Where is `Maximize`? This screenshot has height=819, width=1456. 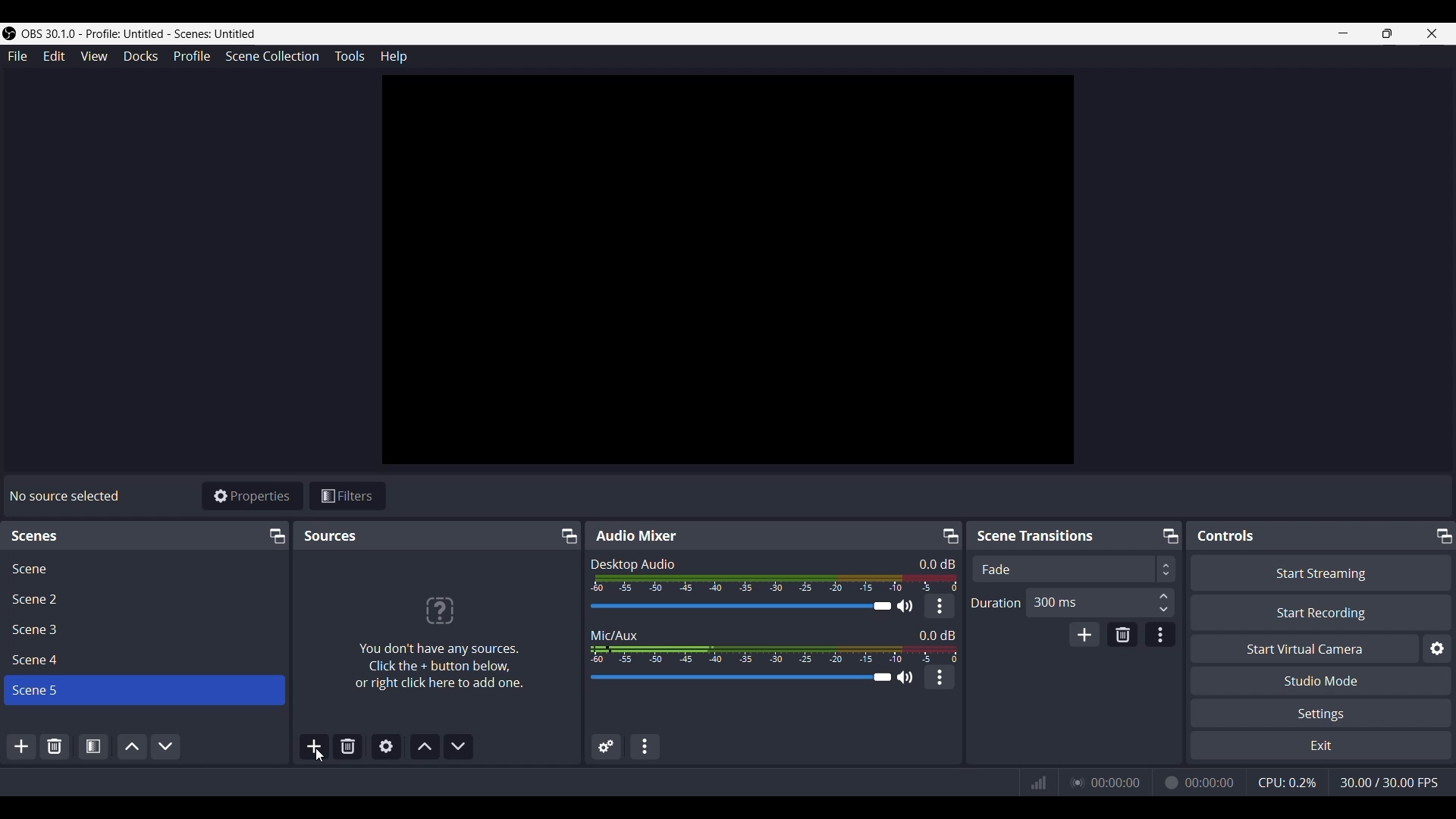 Maximize is located at coordinates (949, 533).